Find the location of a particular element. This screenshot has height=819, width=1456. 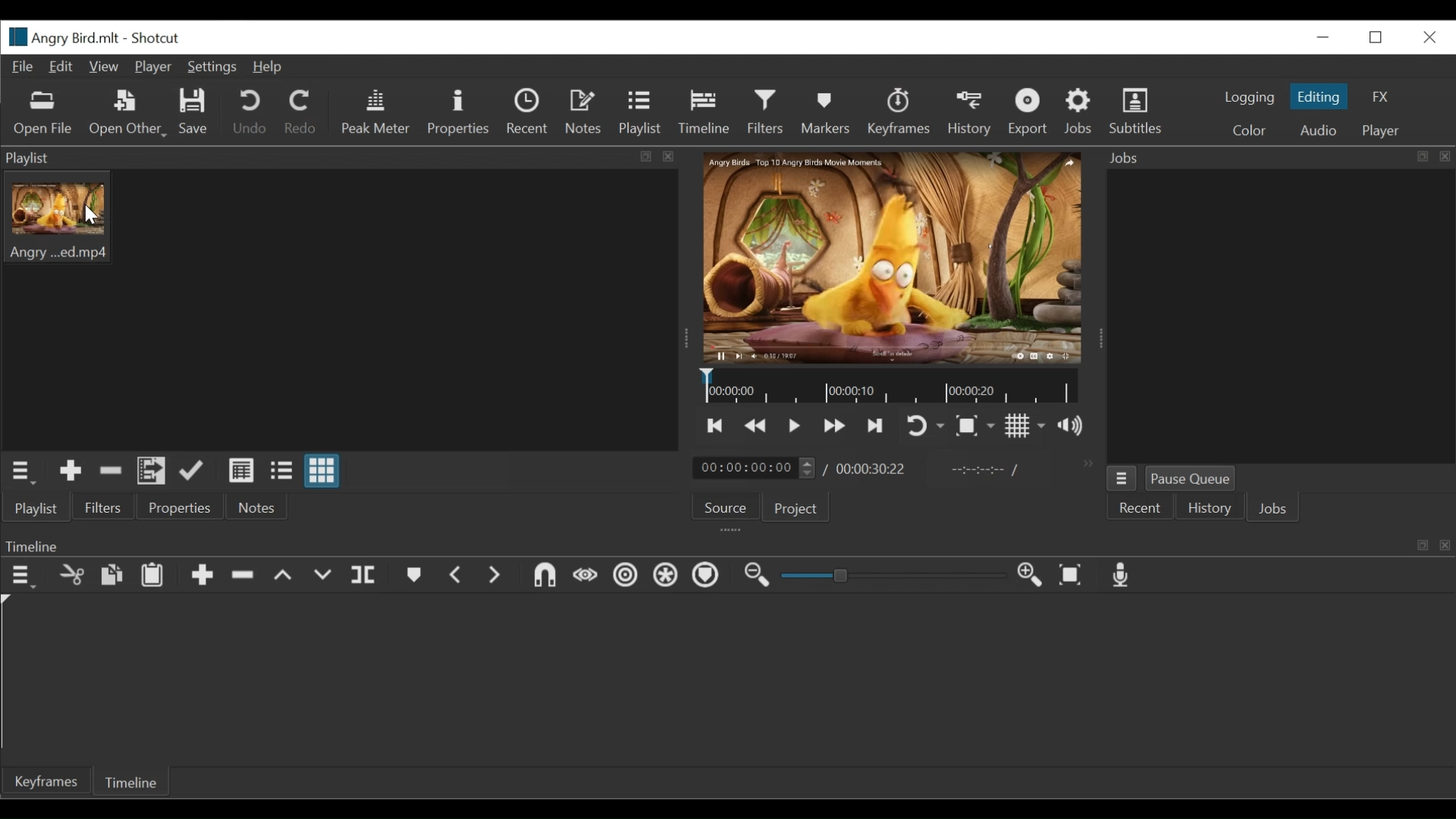

Total duration is located at coordinates (872, 469).